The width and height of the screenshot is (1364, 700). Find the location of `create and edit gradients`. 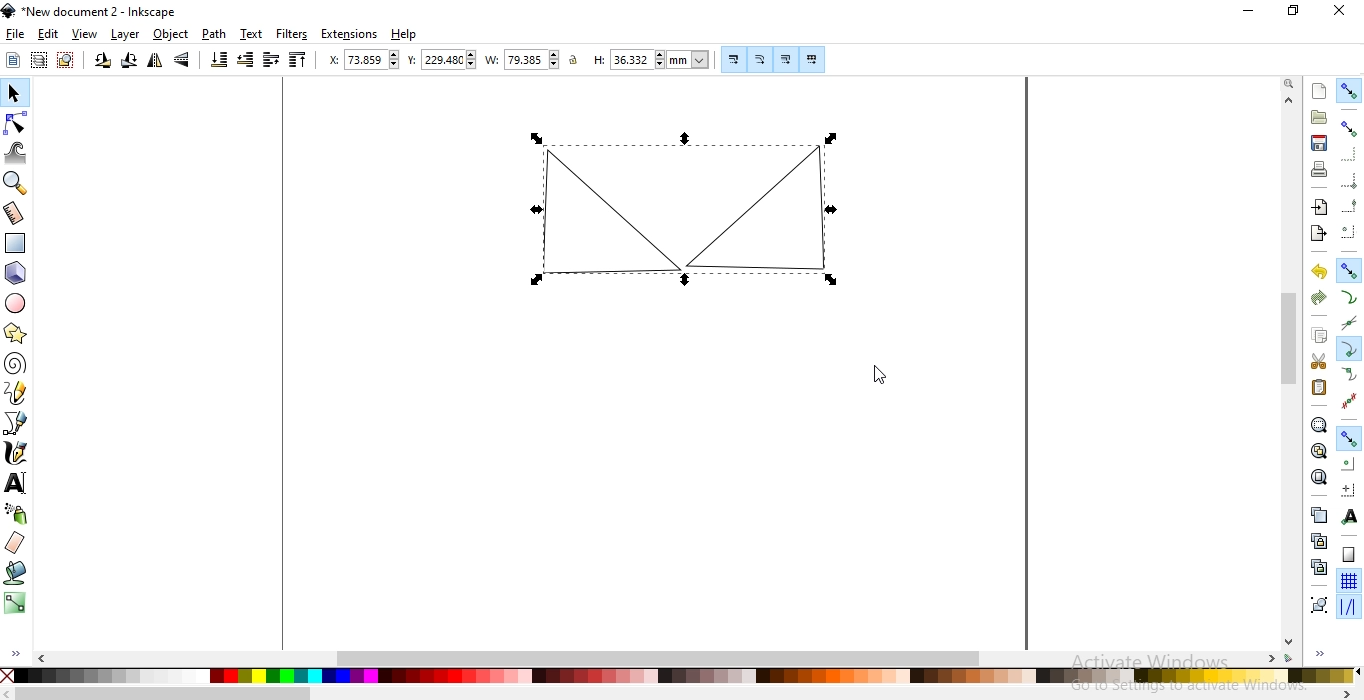

create and edit gradients is located at coordinates (15, 604).